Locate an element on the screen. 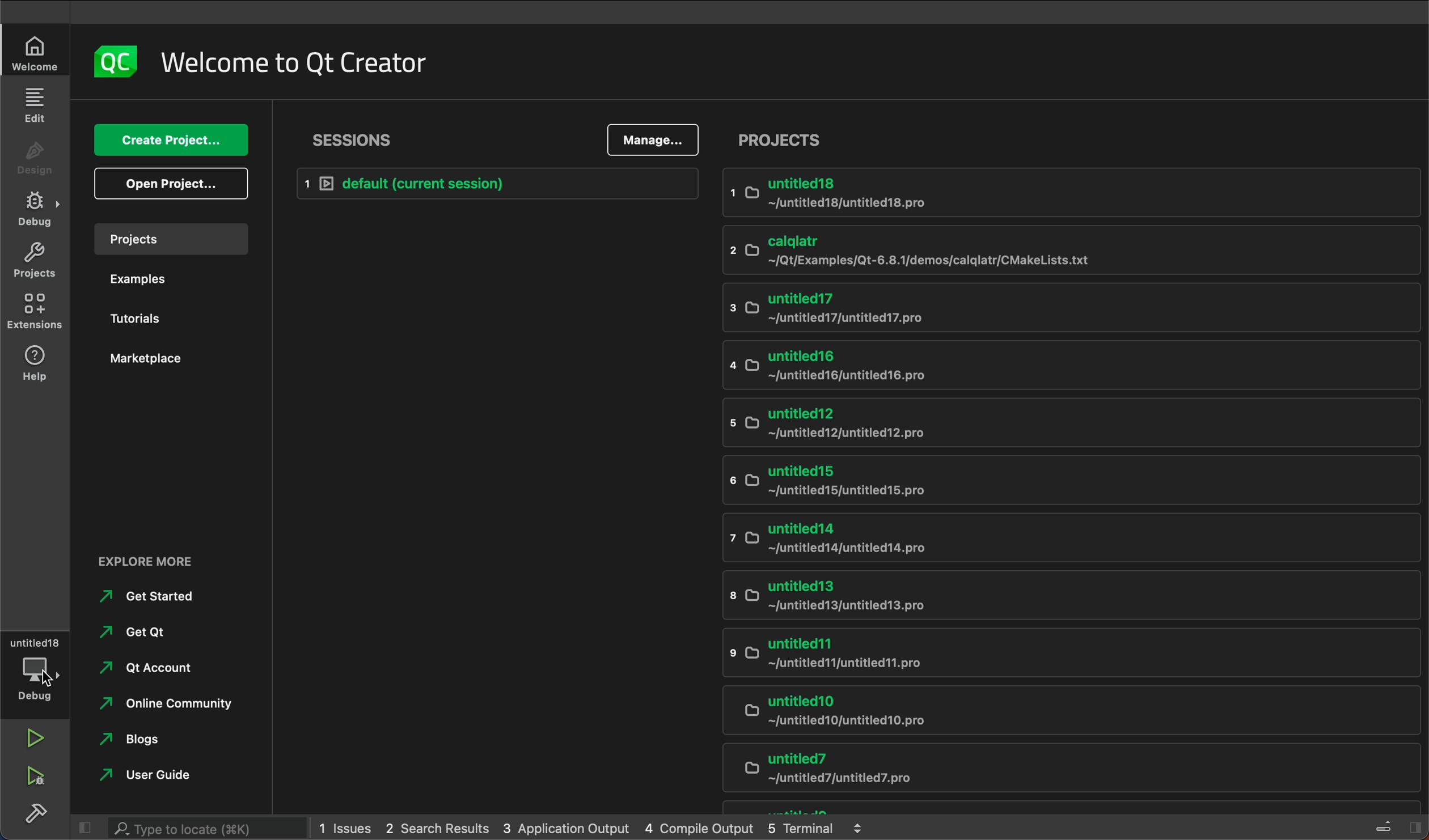  blogs is located at coordinates (133, 739).